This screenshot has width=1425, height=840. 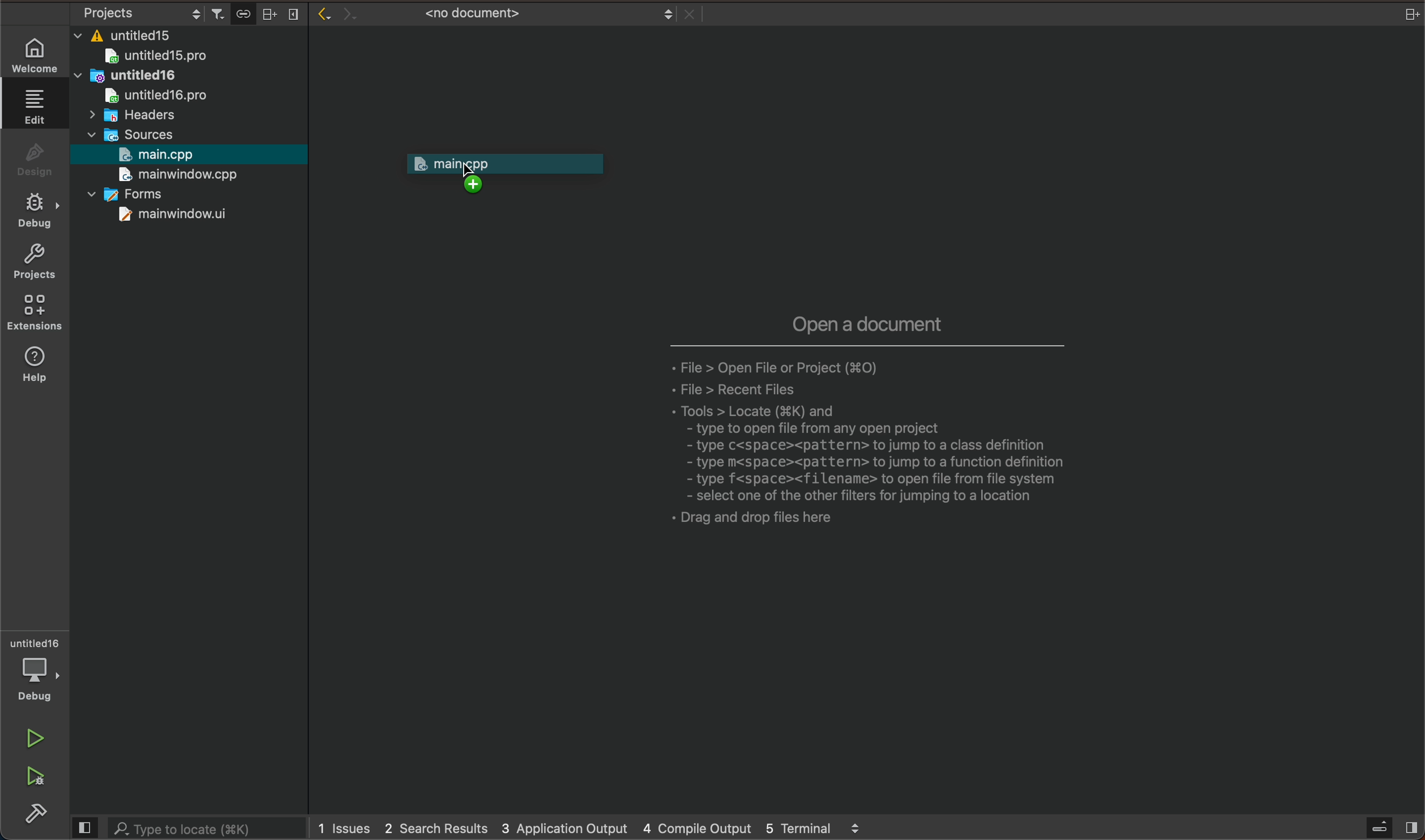 I want to click on WELCOME, so click(x=35, y=53).